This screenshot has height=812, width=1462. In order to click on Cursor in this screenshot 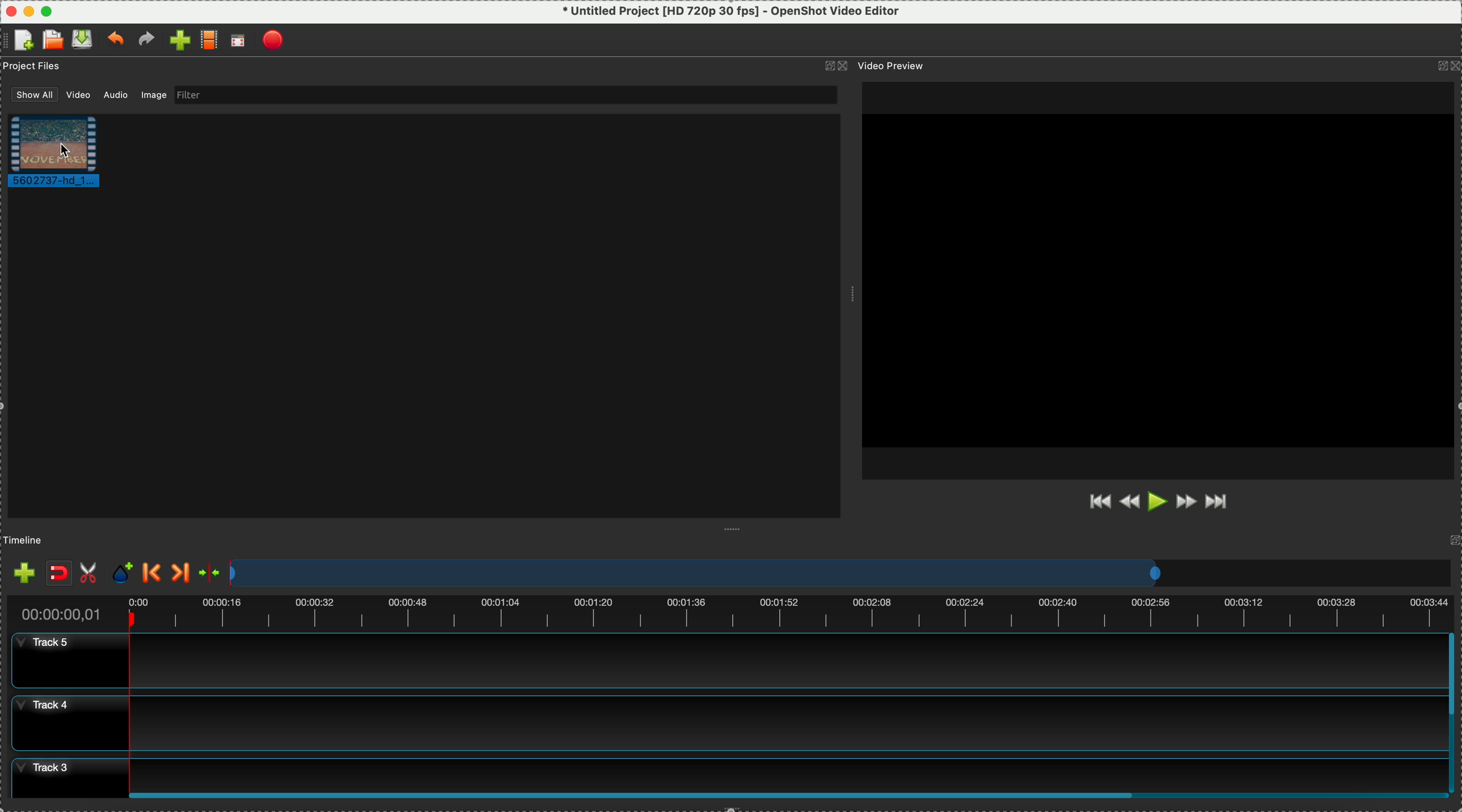, I will do `click(65, 150)`.